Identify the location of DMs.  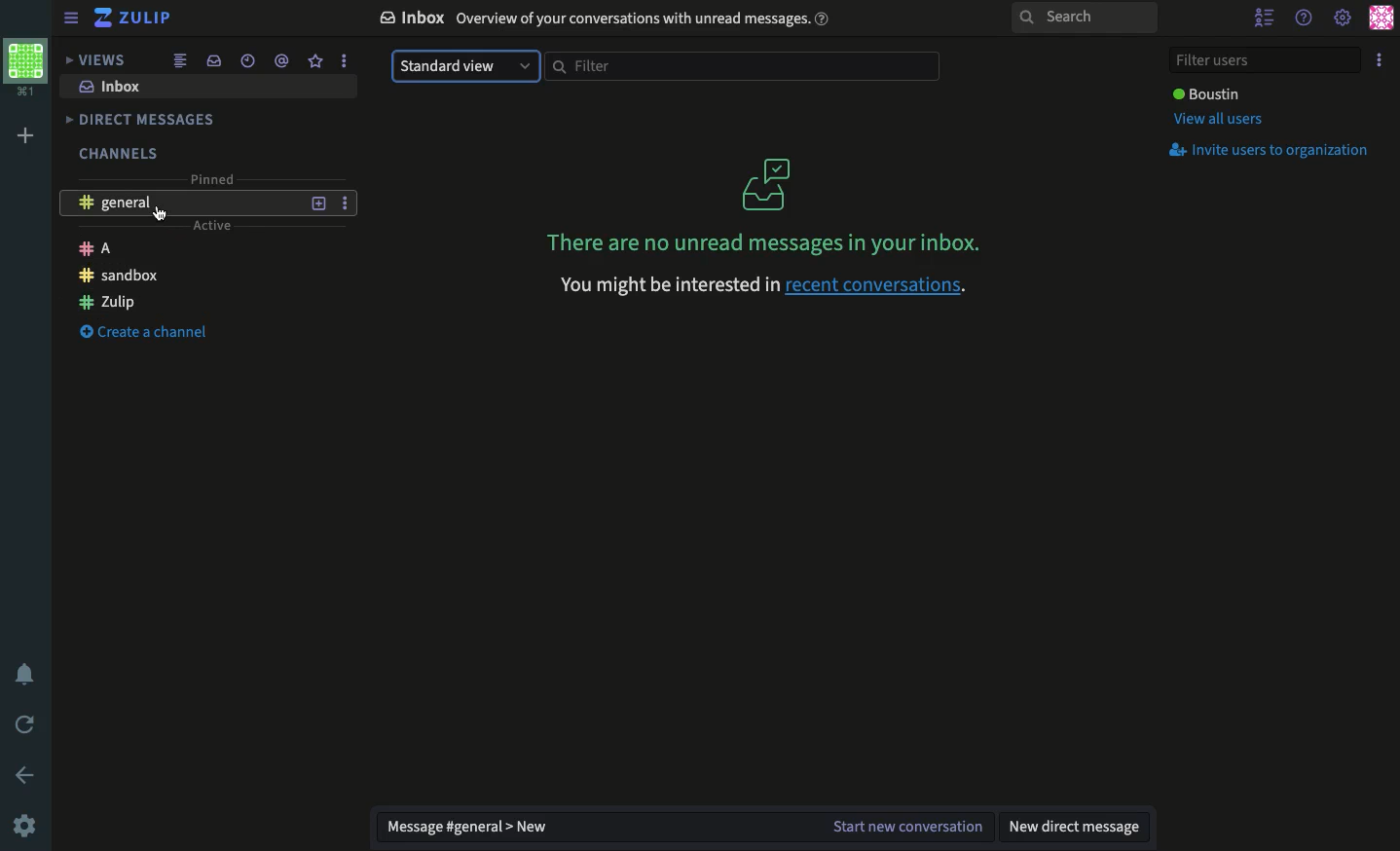
(150, 122).